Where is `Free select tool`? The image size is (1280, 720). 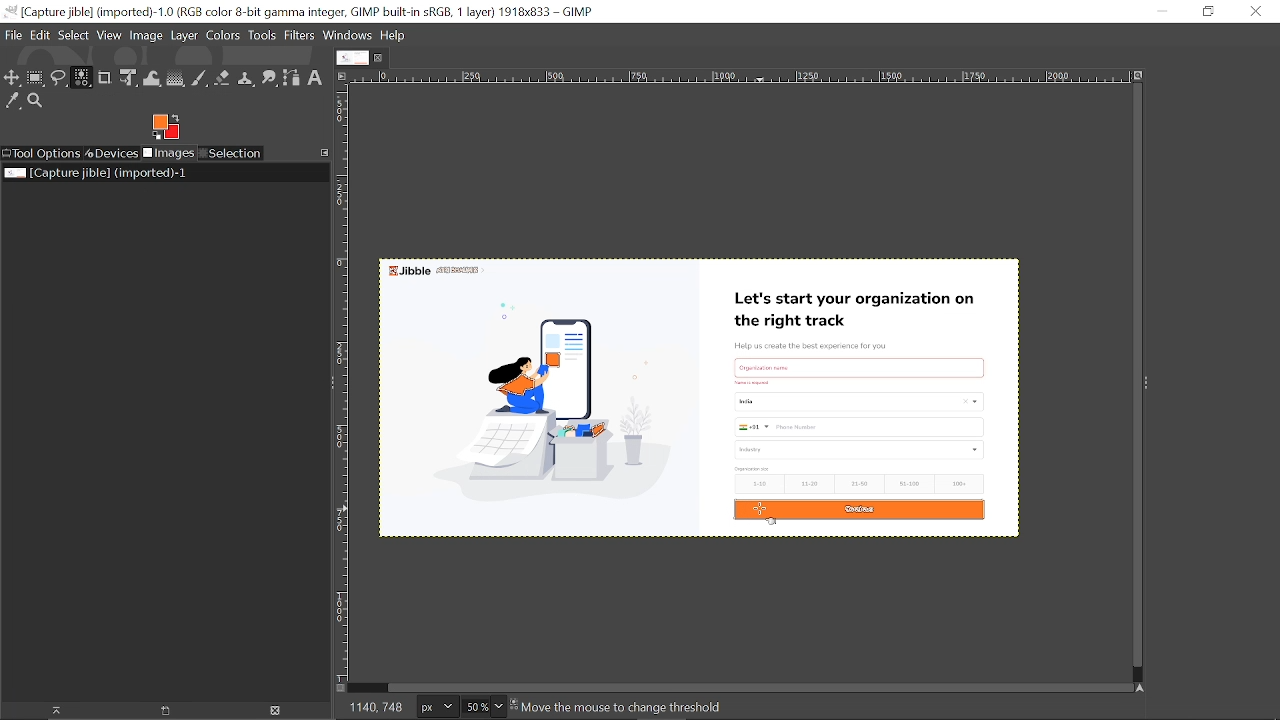 Free select tool is located at coordinates (59, 80).